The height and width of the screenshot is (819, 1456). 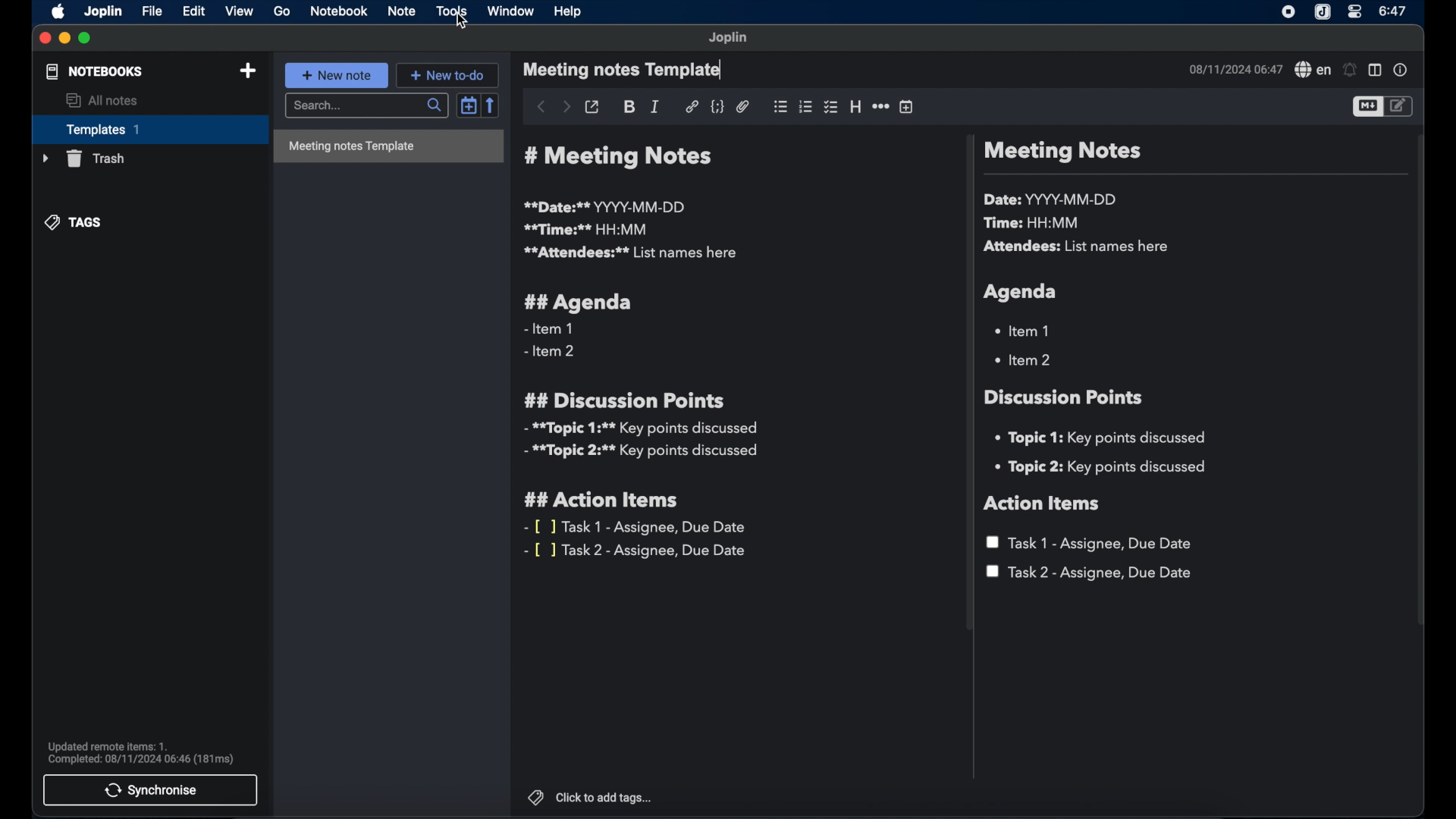 What do you see at coordinates (624, 71) in the screenshot?
I see `meeting notes template` at bounding box center [624, 71].